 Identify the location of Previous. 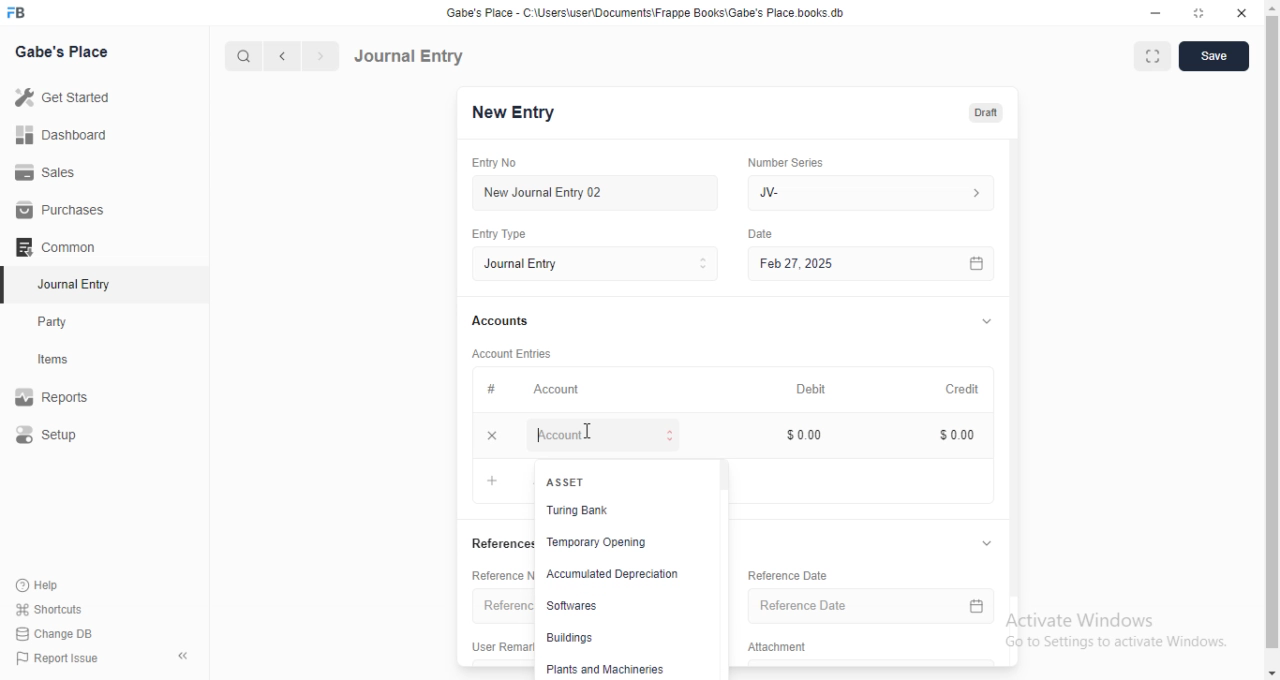
(283, 57).